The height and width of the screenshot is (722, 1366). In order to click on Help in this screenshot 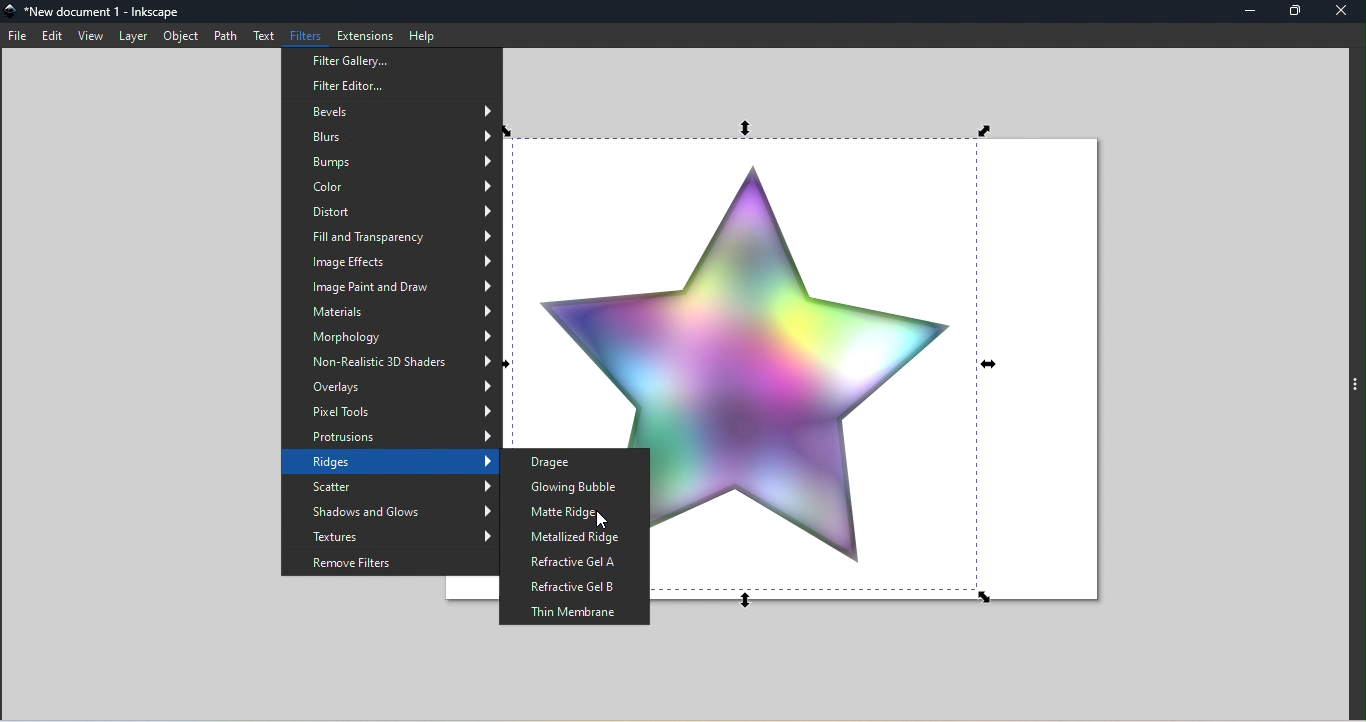, I will do `click(424, 34)`.